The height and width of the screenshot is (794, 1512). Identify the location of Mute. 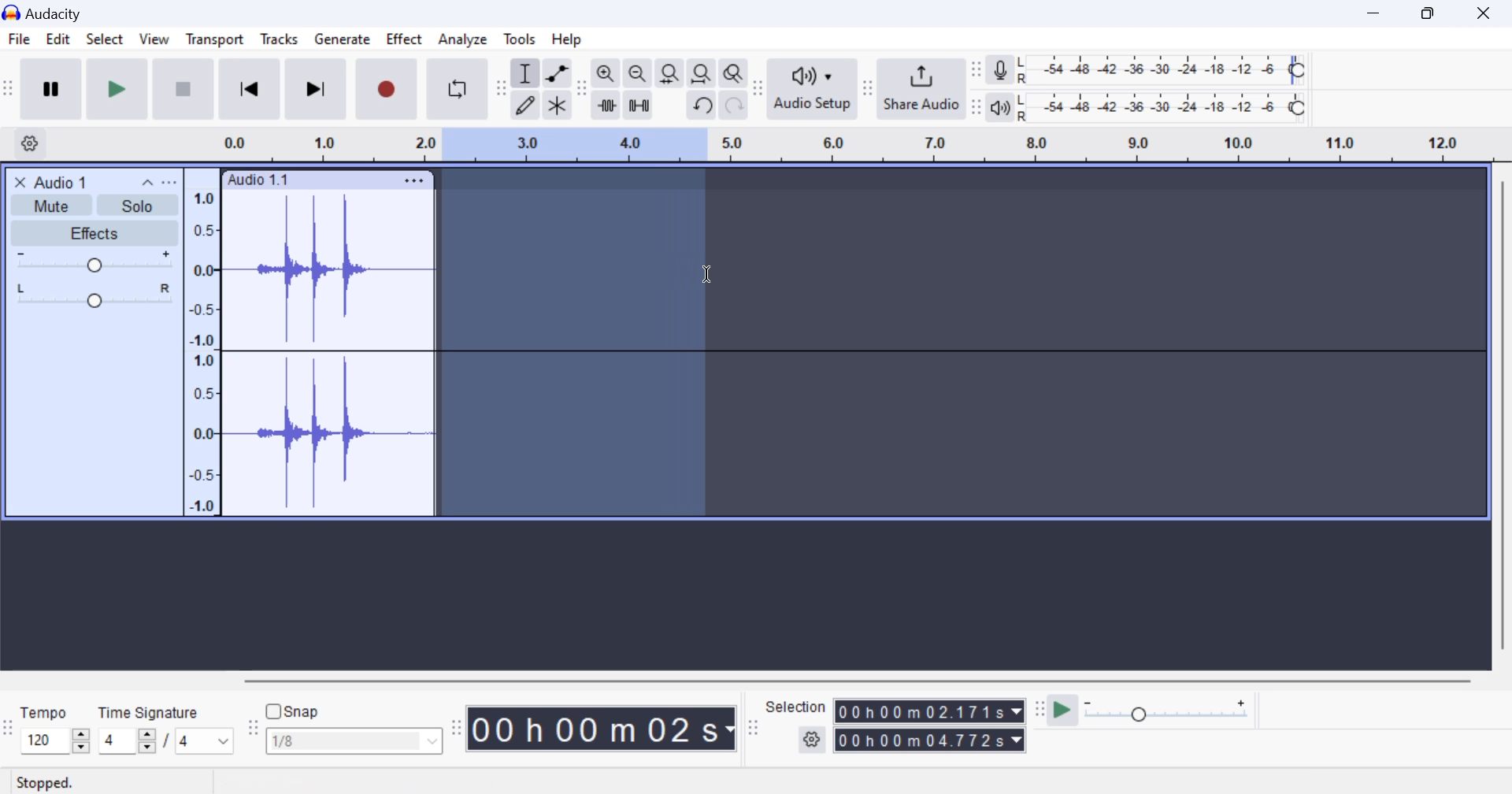
(54, 204).